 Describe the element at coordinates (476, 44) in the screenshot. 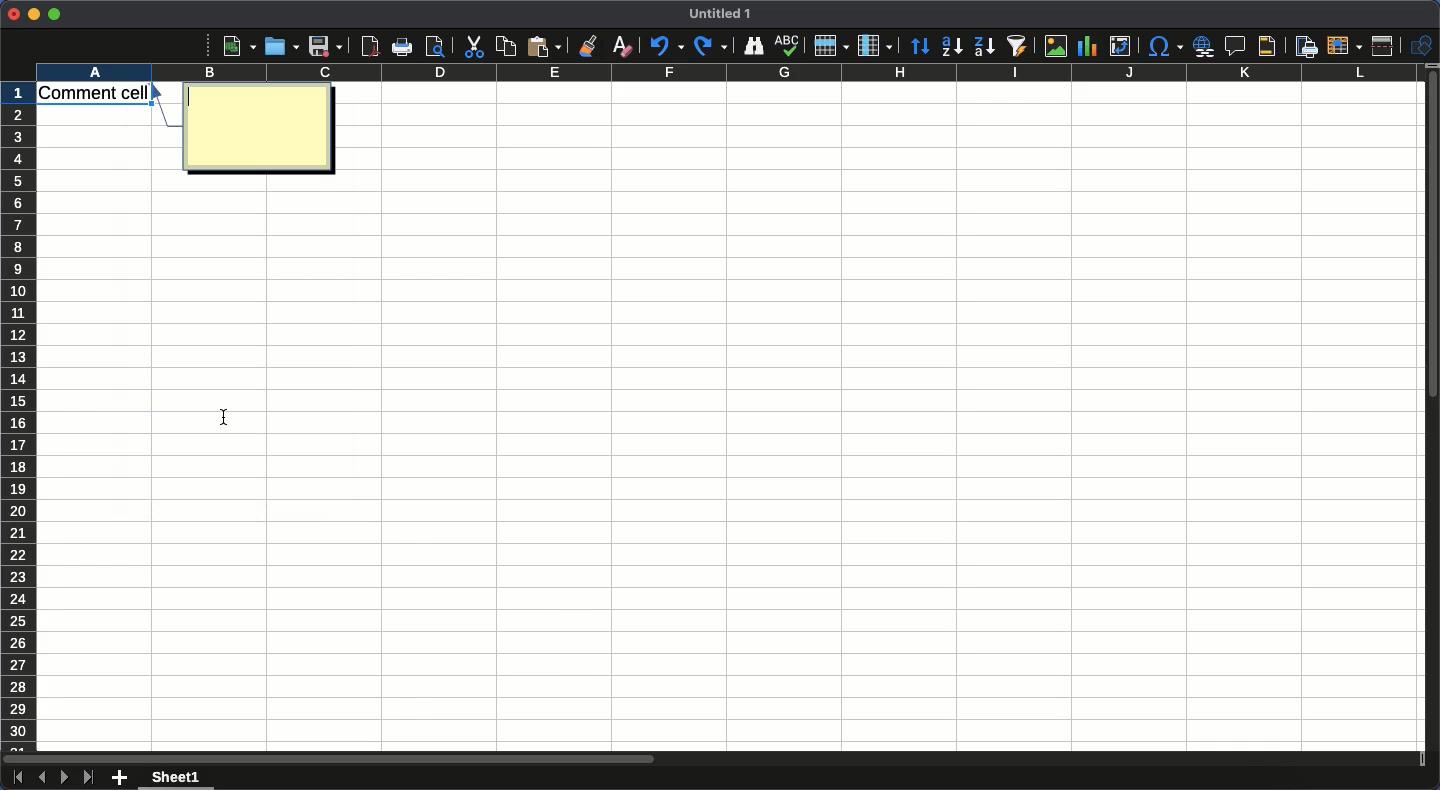

I see `Cut` at that location.